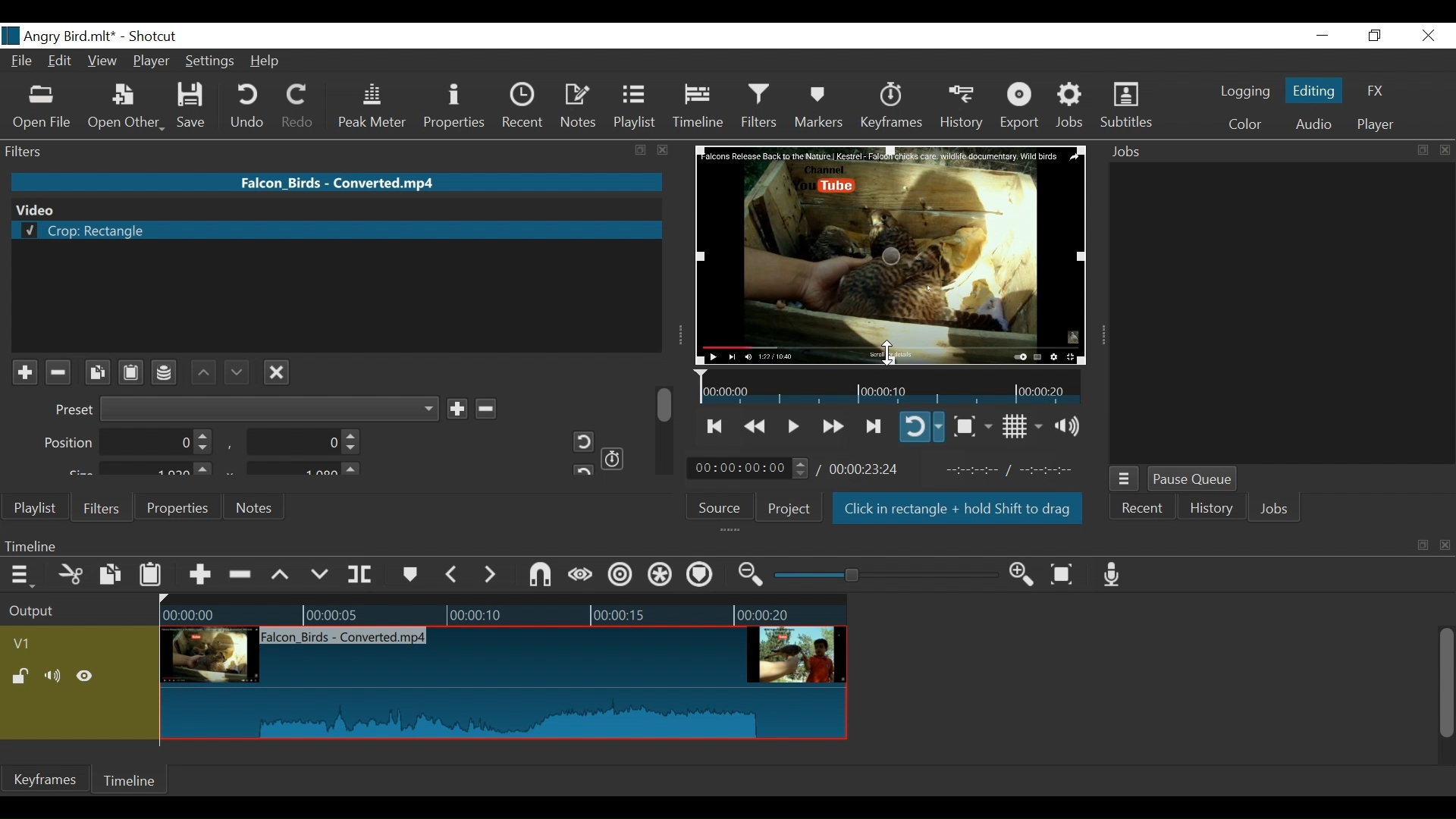 Image resolution: width=1456 pixels, height=819 pixels. I want to click on Playlist, so click(635, 106).